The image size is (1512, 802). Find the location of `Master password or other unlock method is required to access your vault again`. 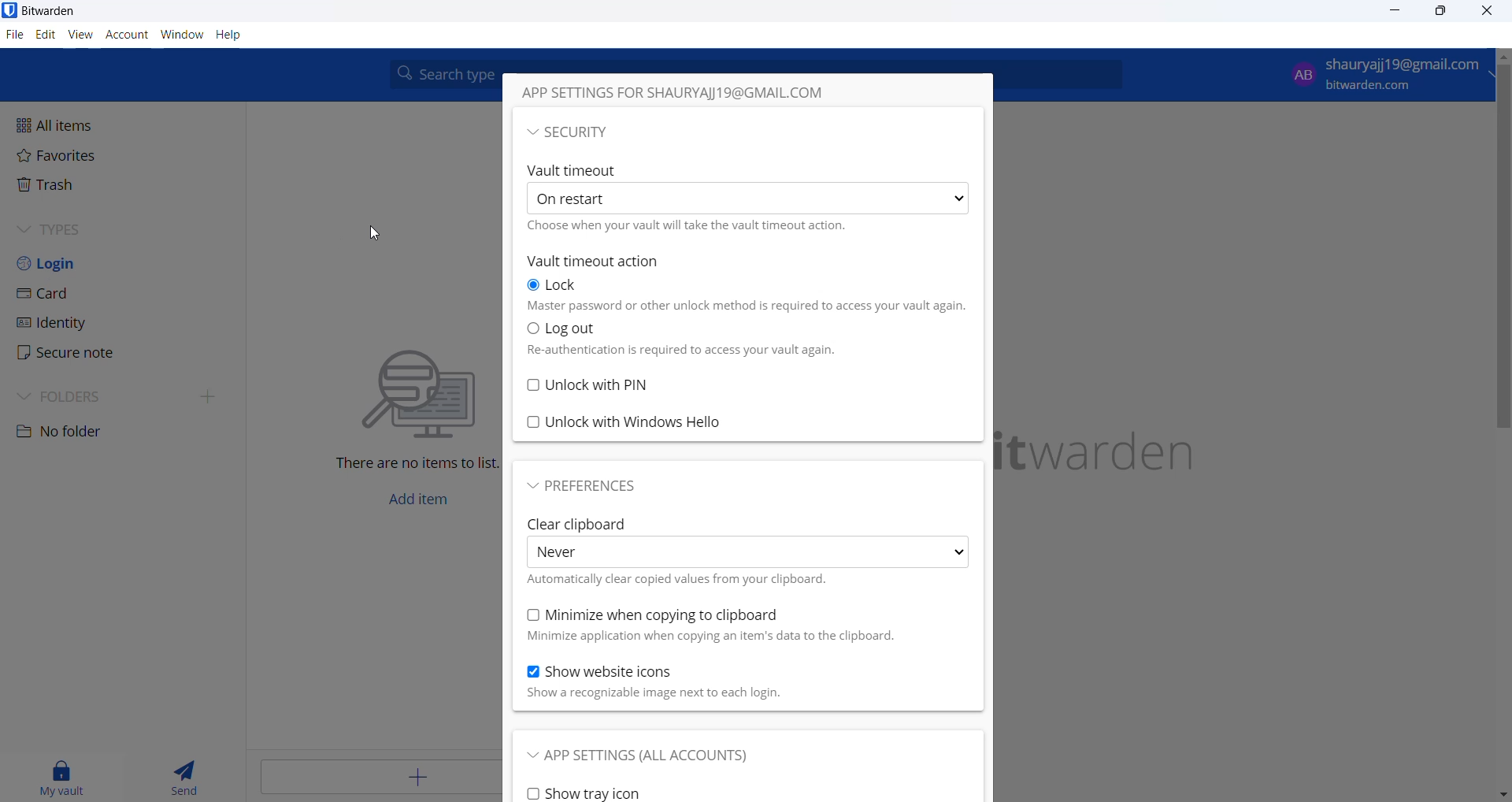

Master password or other unlock method is required to access your vault again is located at coordinates (746, 307).